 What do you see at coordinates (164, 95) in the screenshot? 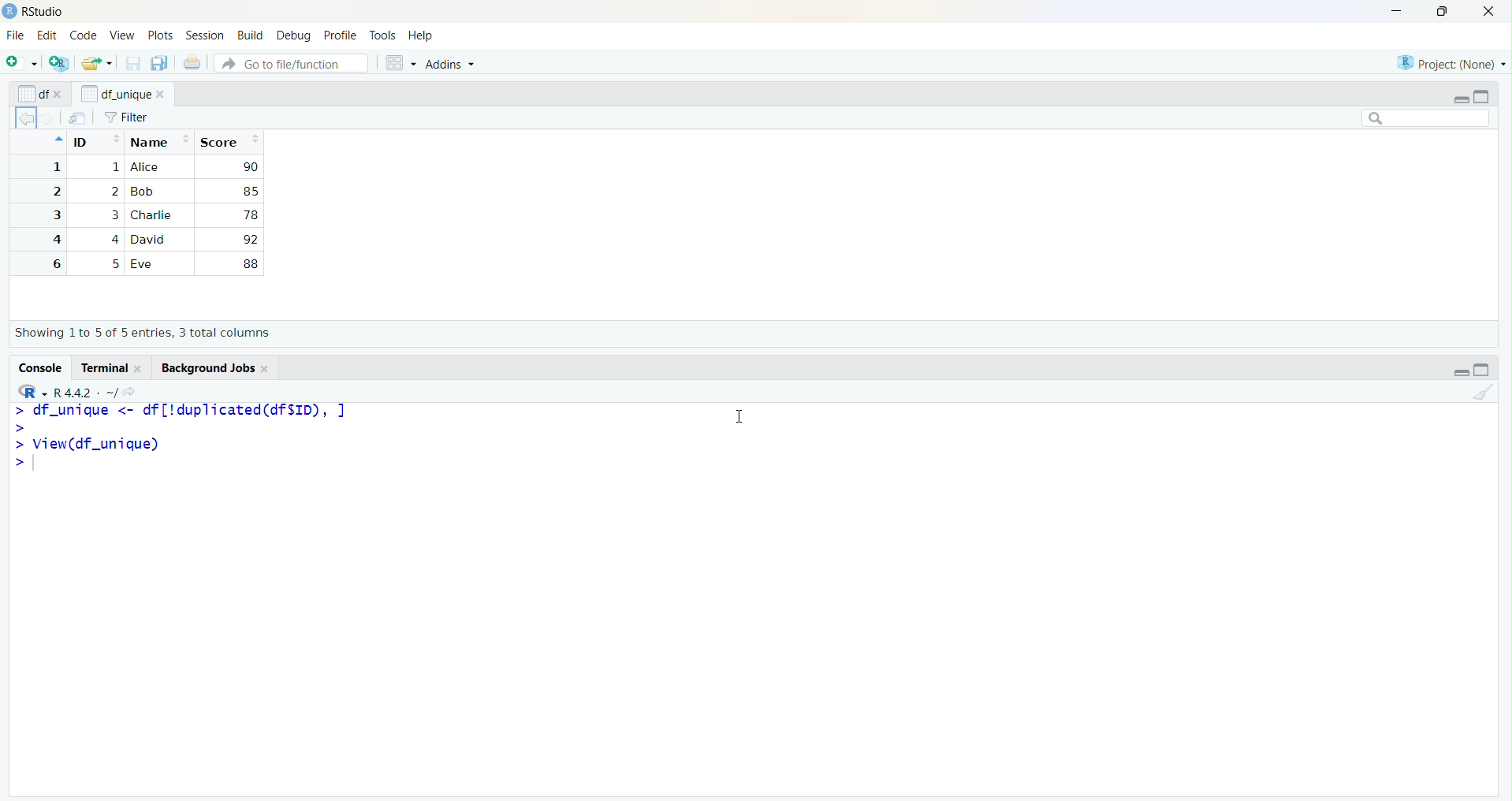
I see `close` at bounding box center [164, 95].